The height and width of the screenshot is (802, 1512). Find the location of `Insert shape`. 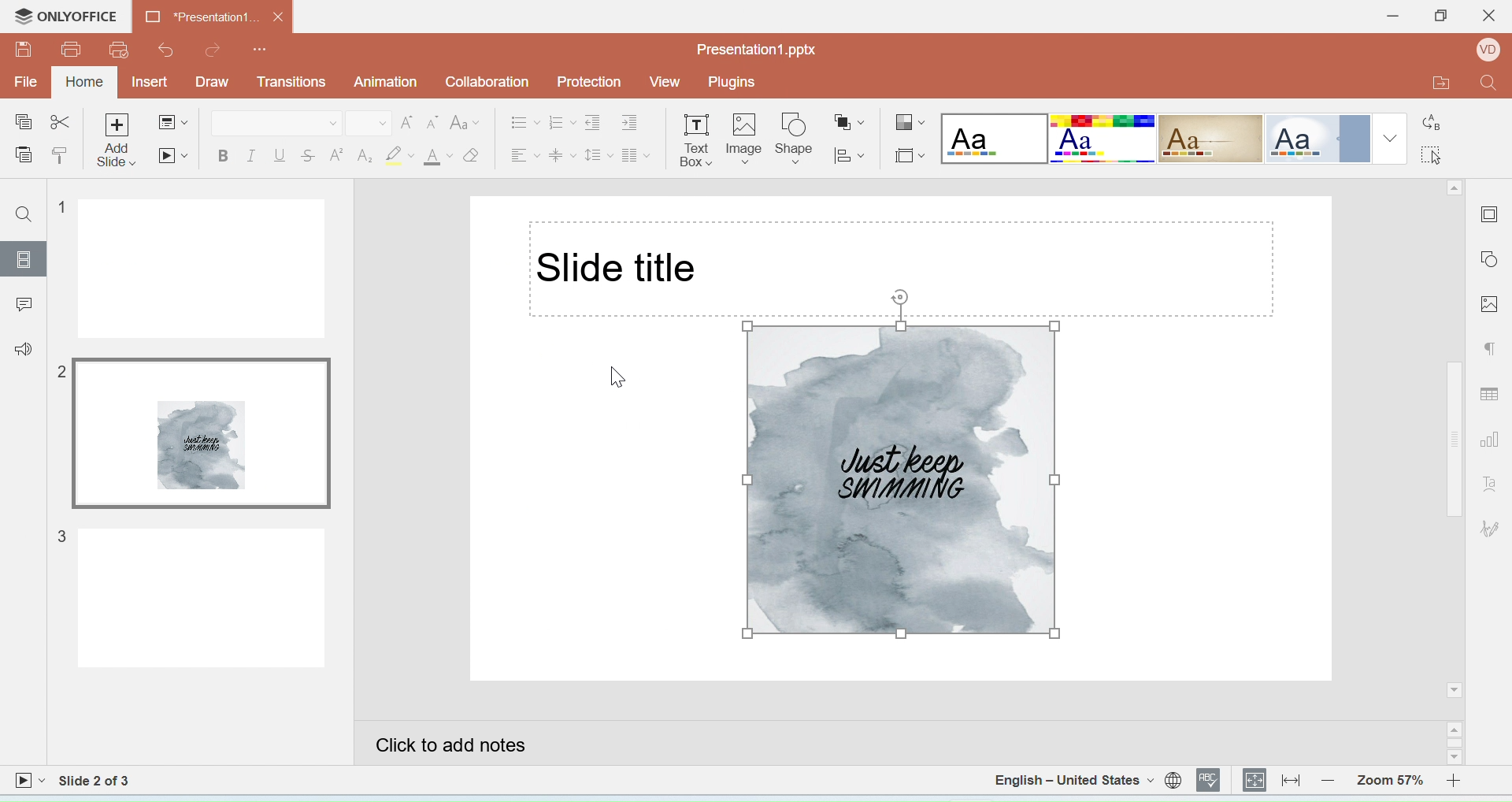

Insert shape is located at coordinates (795, 139).